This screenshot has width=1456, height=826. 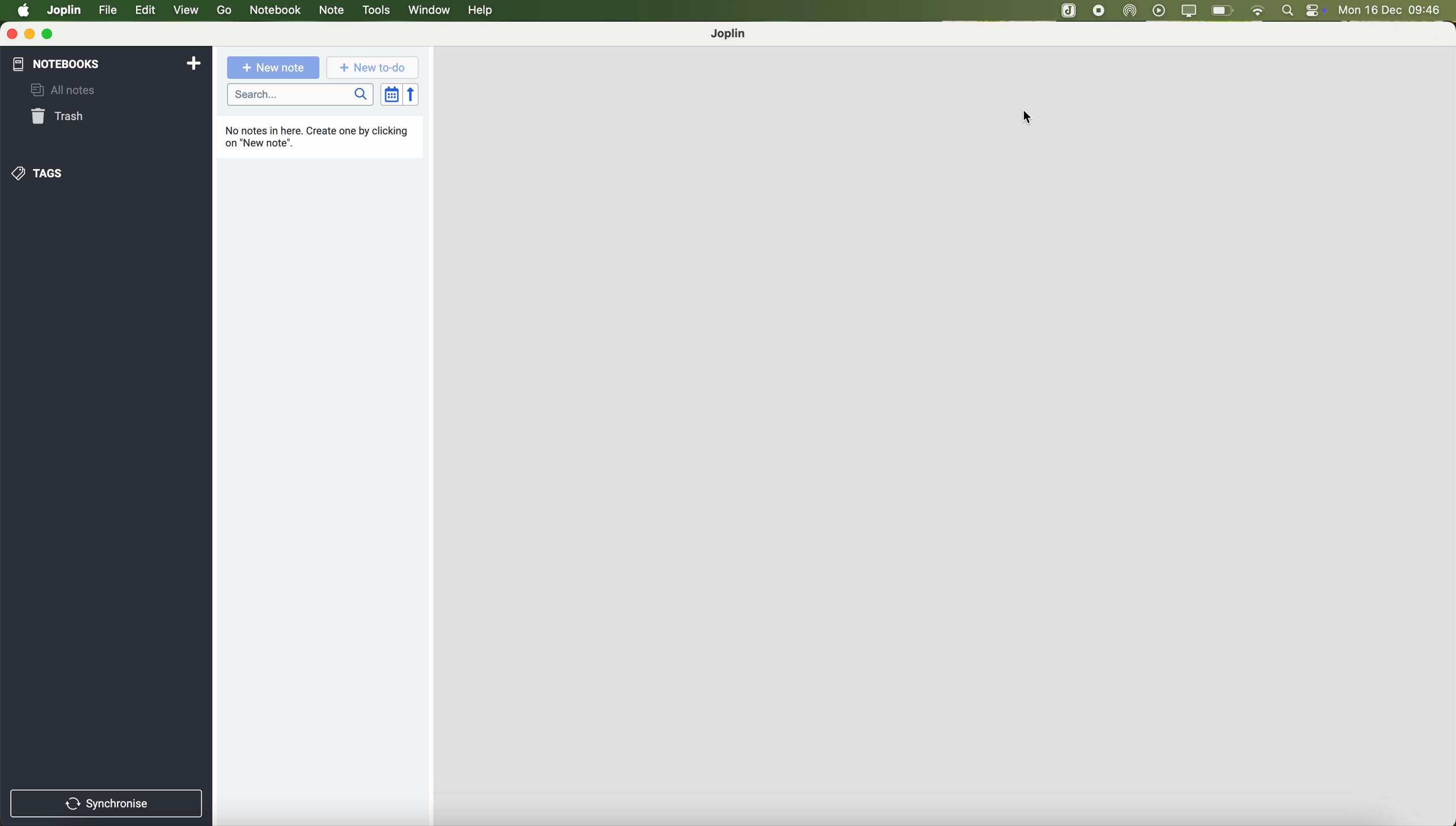 I want to click on stop recording, so click(x=1069, y=11).